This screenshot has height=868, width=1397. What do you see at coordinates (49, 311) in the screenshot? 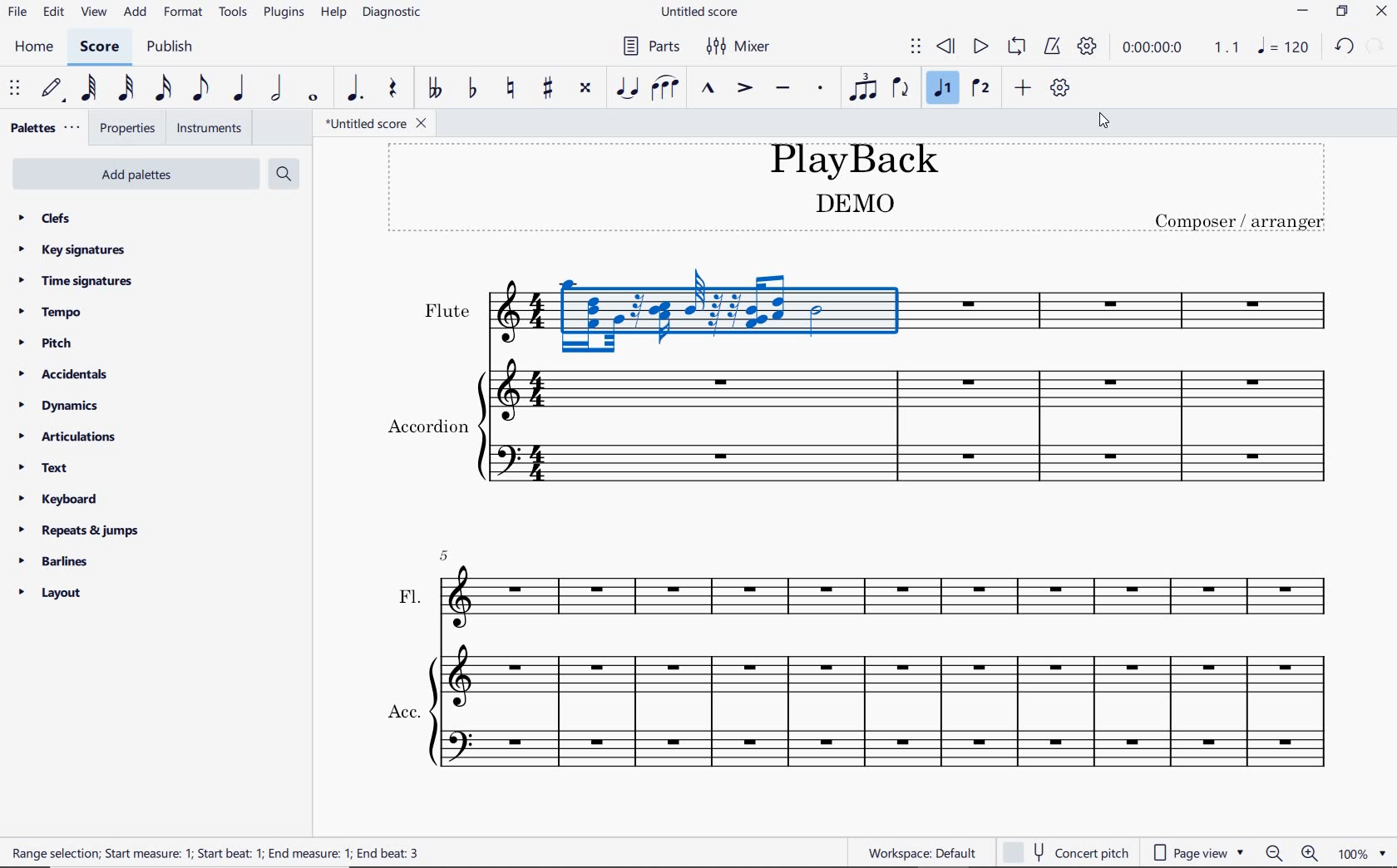
I see `tempo` at bounding box center [49, 311].